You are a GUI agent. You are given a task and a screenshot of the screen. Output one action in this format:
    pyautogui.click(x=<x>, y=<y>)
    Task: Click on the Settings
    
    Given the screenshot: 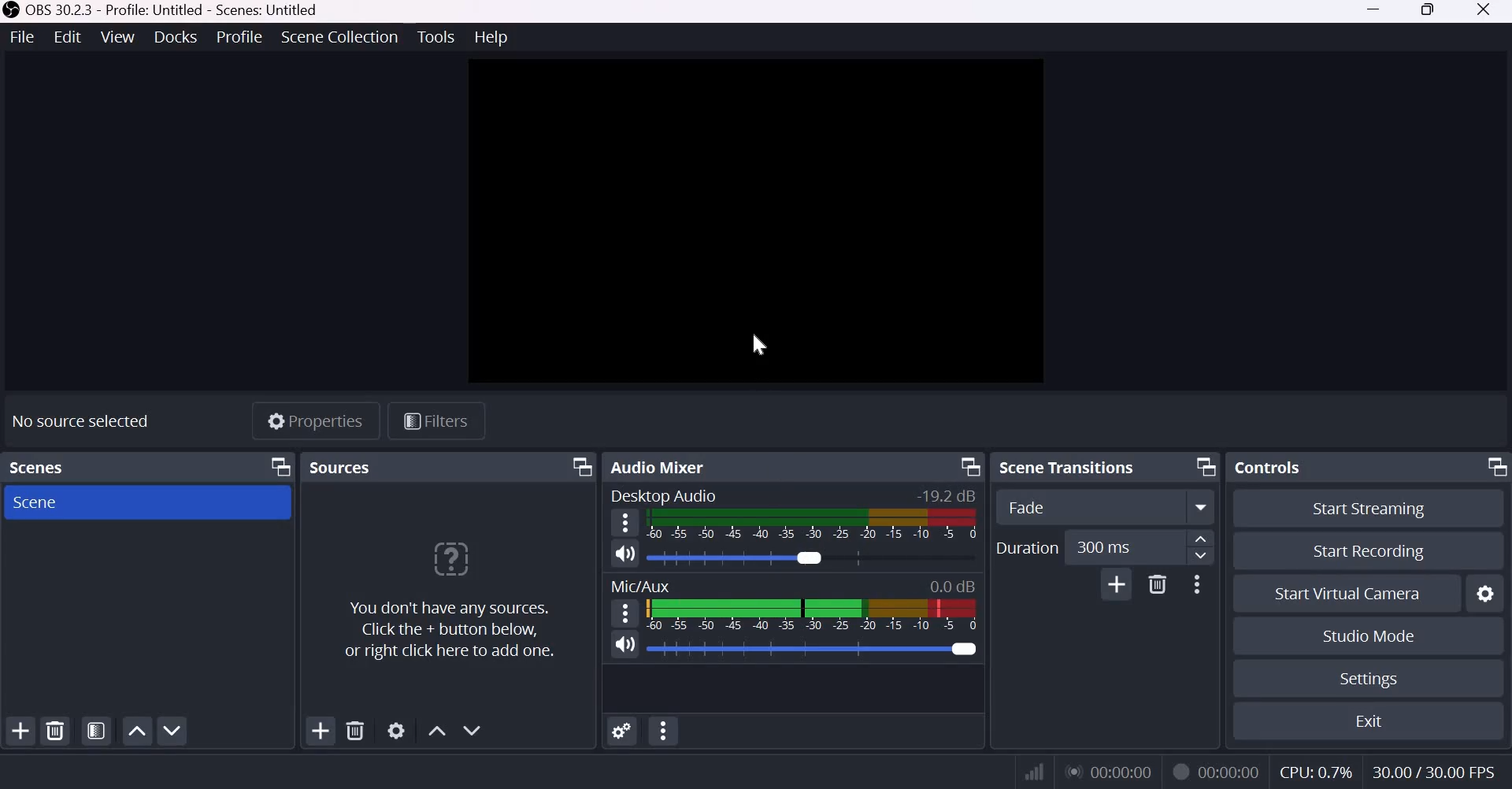 What is the action you would take?
    pyautogui.click(x=1369, y=679)
    